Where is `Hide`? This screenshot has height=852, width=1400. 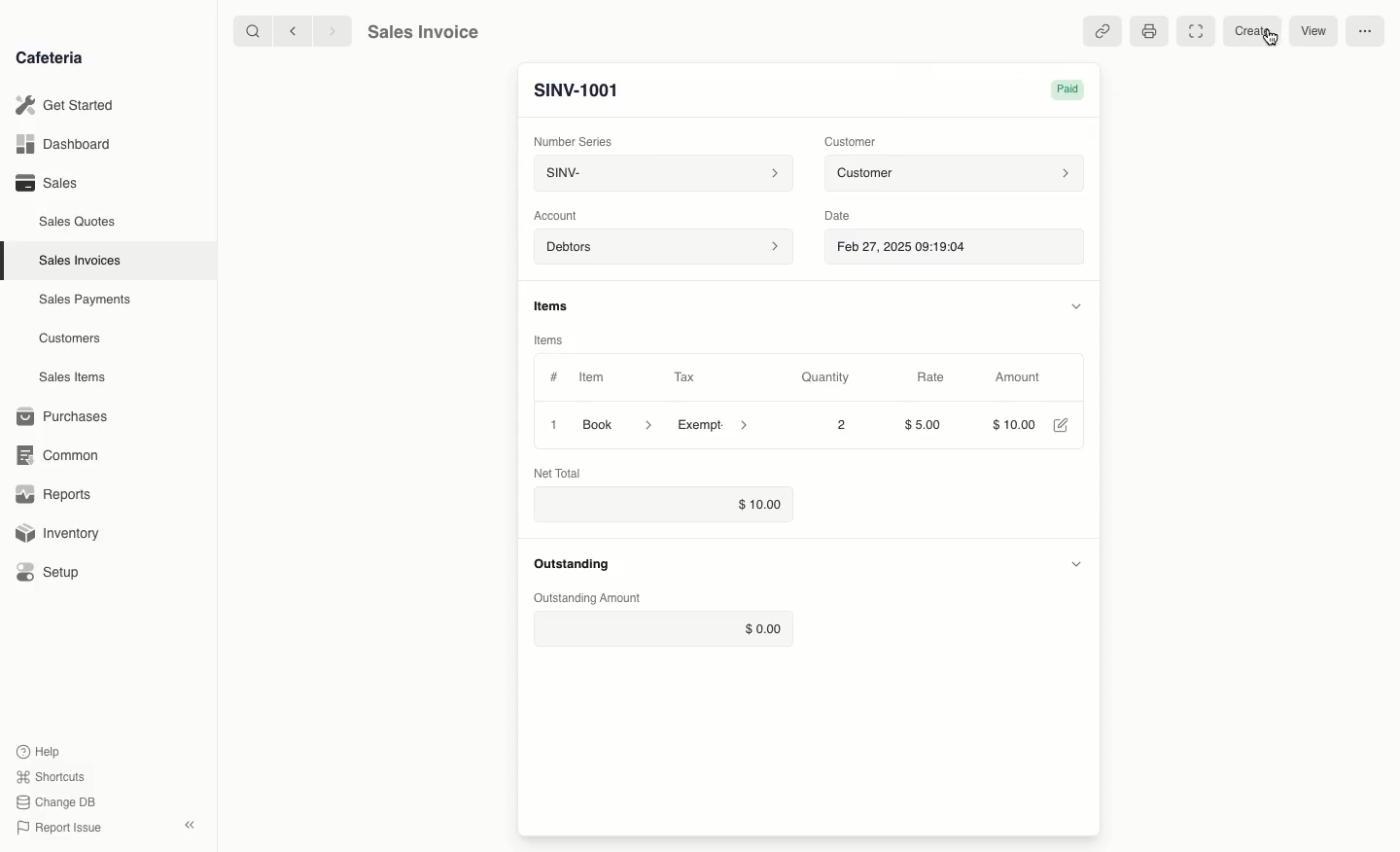
Hide is located at coordinates (1075, 303).